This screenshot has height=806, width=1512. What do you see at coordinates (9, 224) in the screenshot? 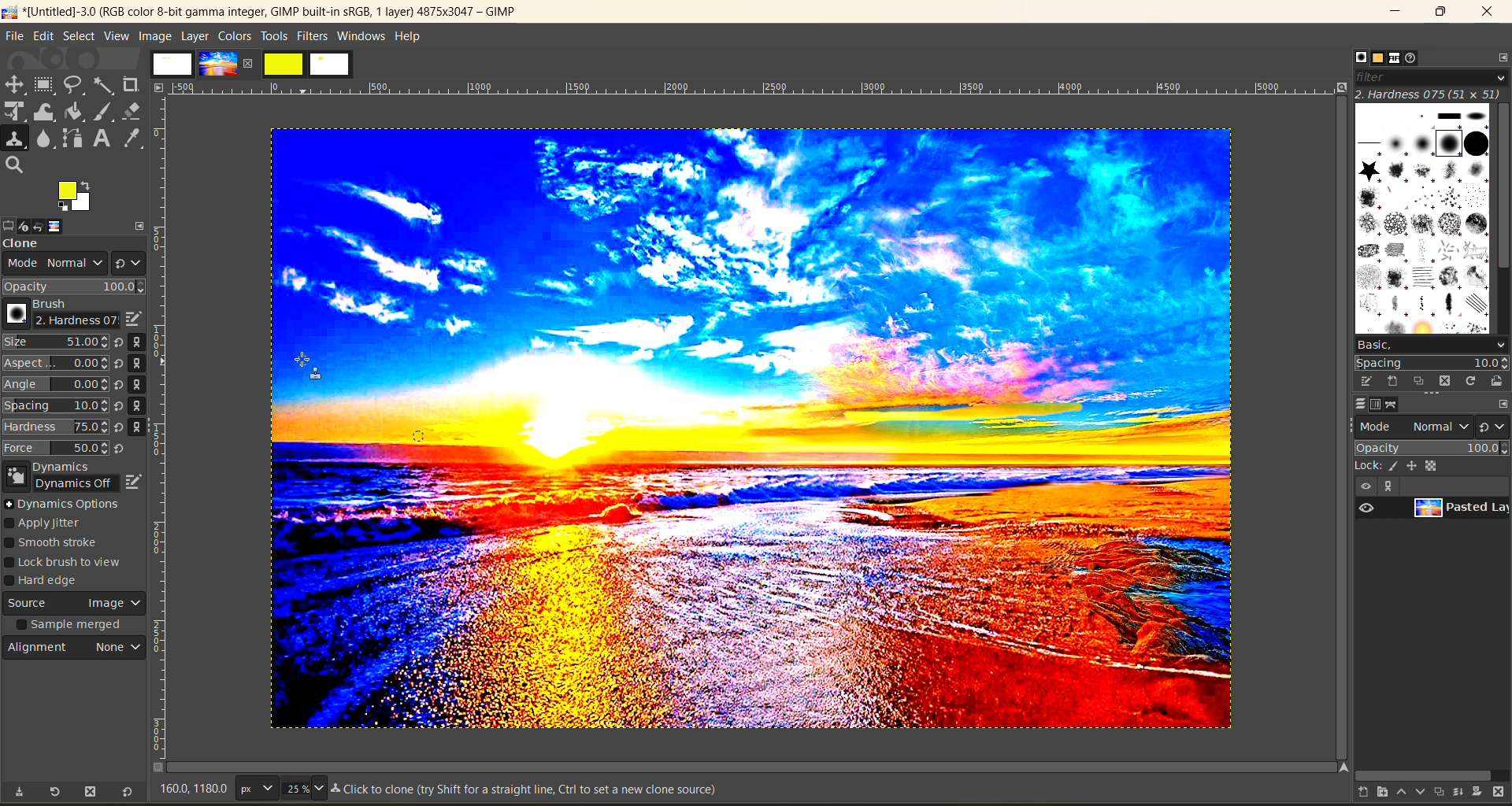
I see `tool options` at bounding box center [9, 224].